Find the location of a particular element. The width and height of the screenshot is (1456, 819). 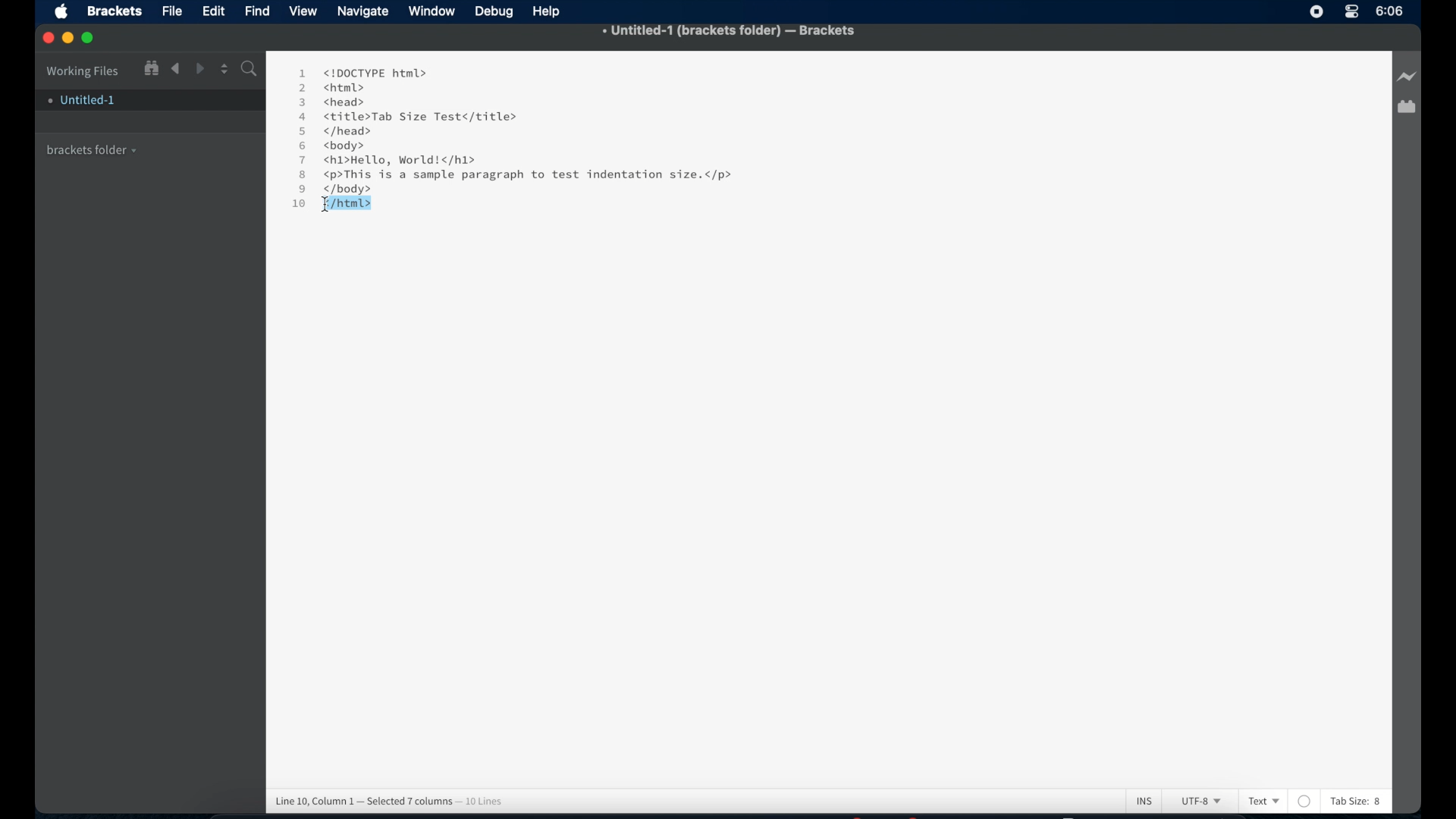

Charging is located at coordinates (1406, 77).